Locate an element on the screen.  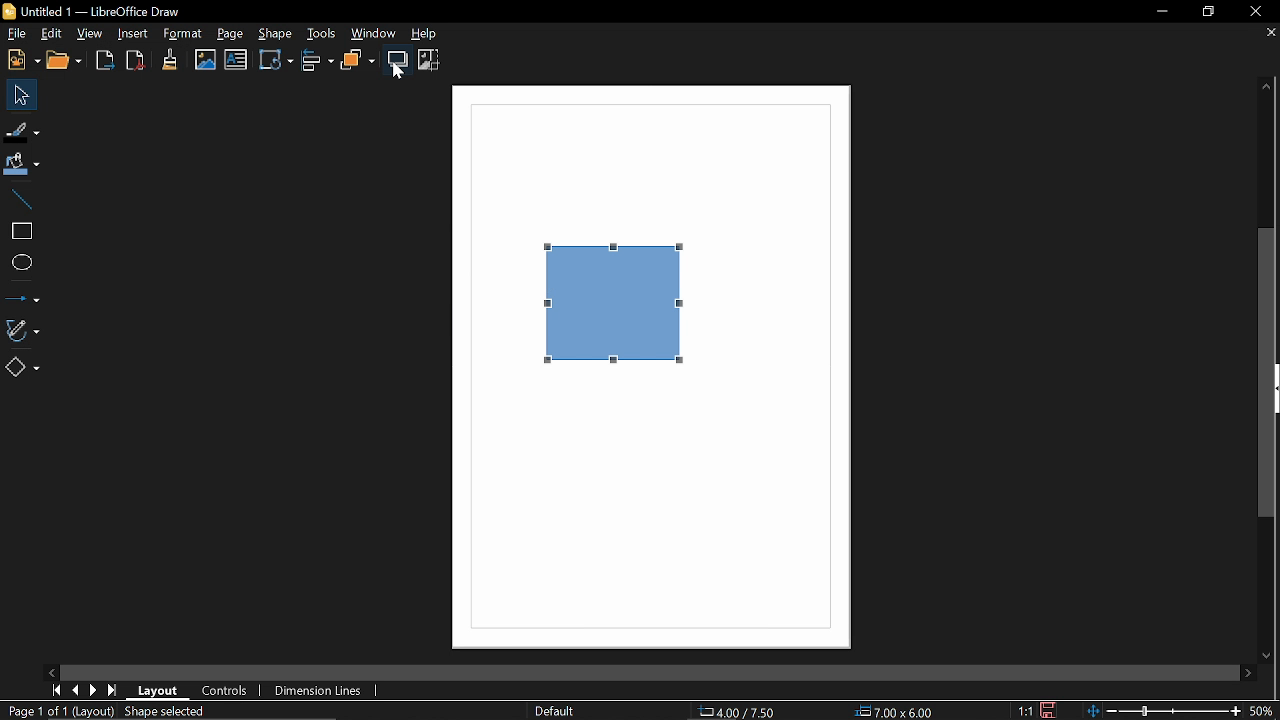
Line is located at coordinates (22, 195).